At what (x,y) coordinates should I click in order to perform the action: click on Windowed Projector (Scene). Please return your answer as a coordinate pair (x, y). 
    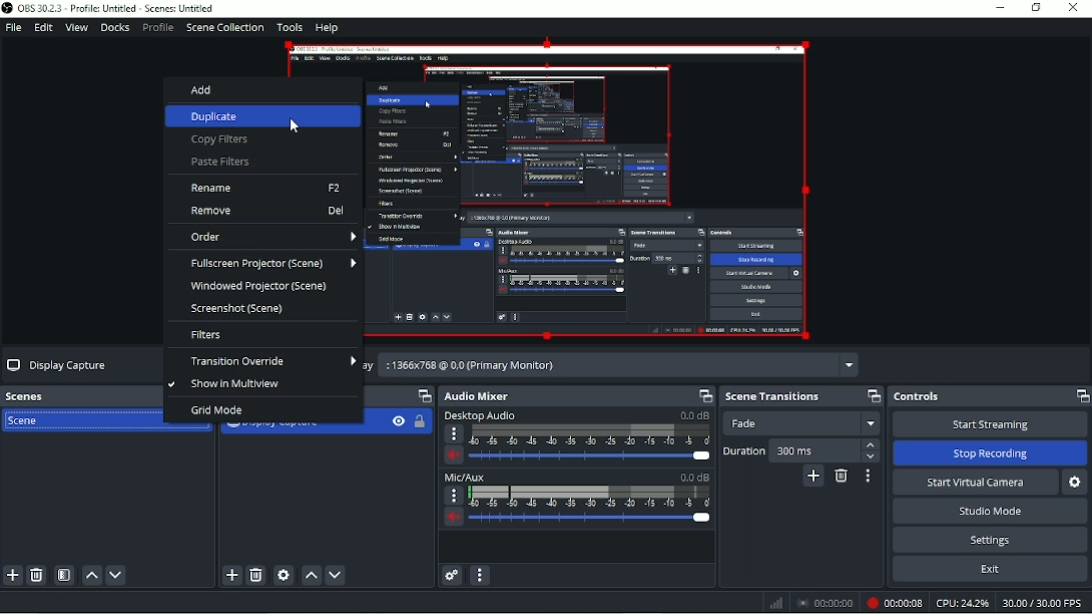
    Looking at the image, I should click on (259, 286).